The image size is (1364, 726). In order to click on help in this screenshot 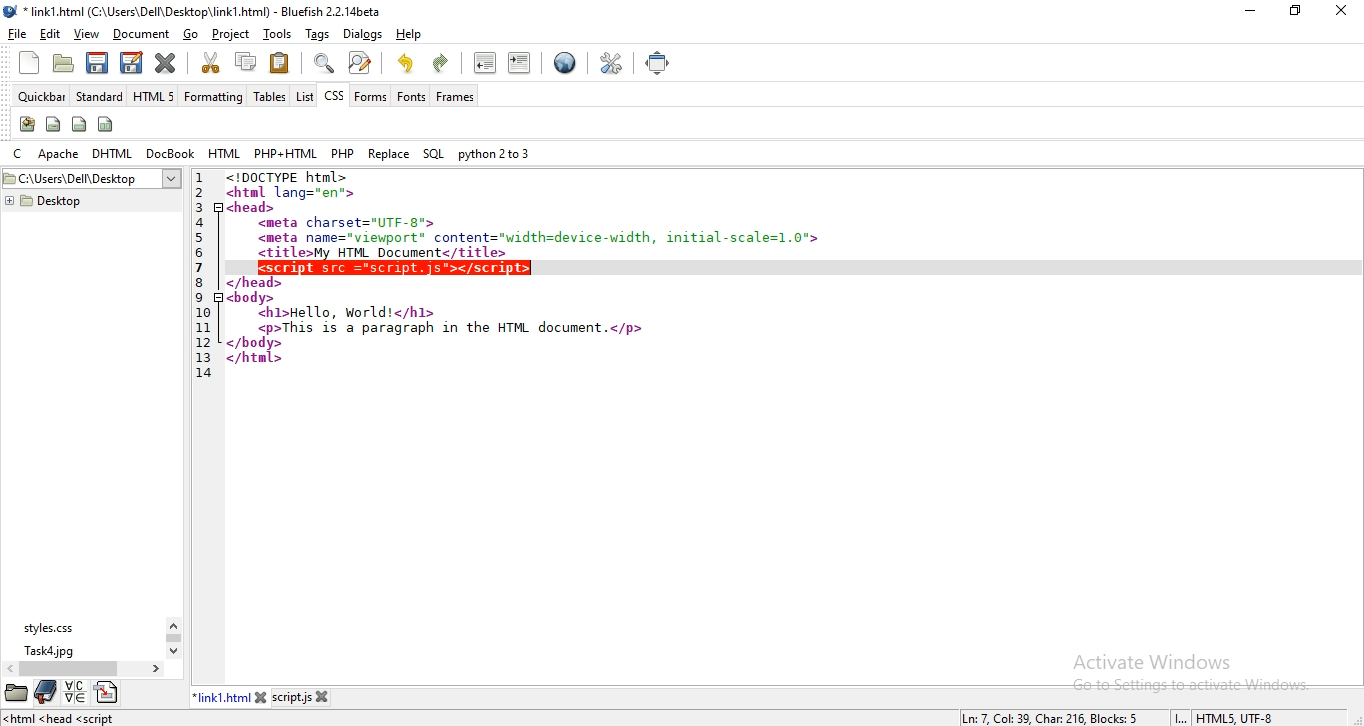, I will do `click(414, 37)`.